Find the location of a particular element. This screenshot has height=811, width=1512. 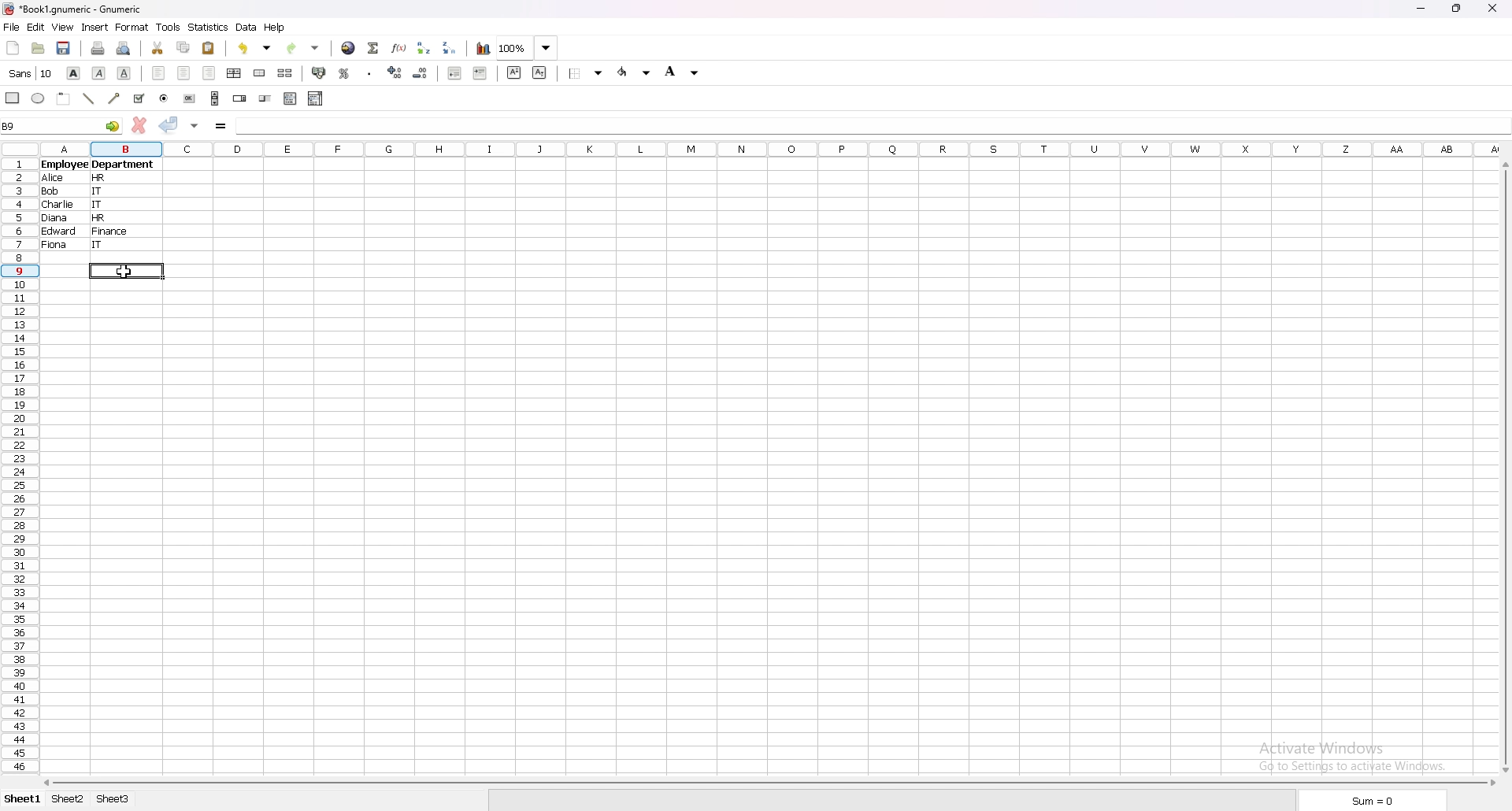

close is located at coordinates (1494, 8).